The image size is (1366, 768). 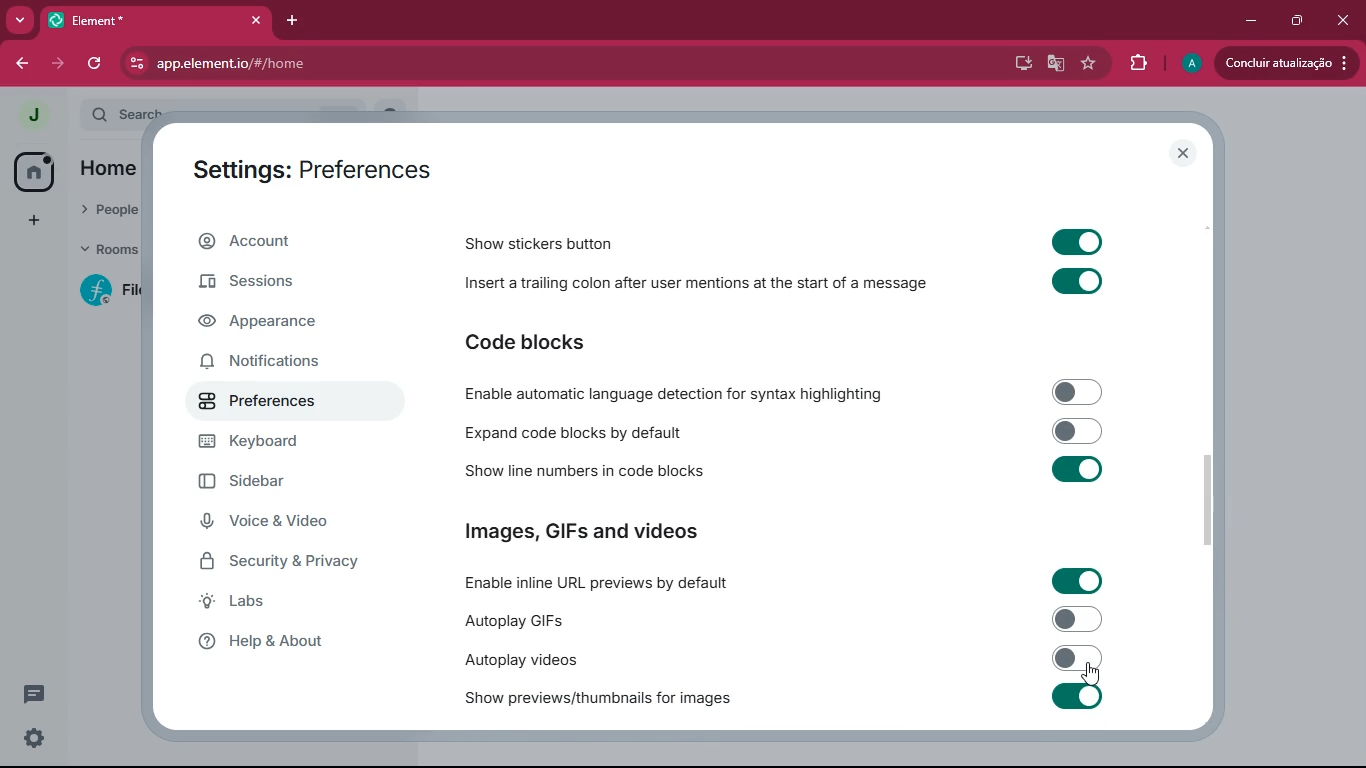 What do you see at coordinates (21, 22) in the screenshot?
I see `search tabs` at bounding box center [21, 22].